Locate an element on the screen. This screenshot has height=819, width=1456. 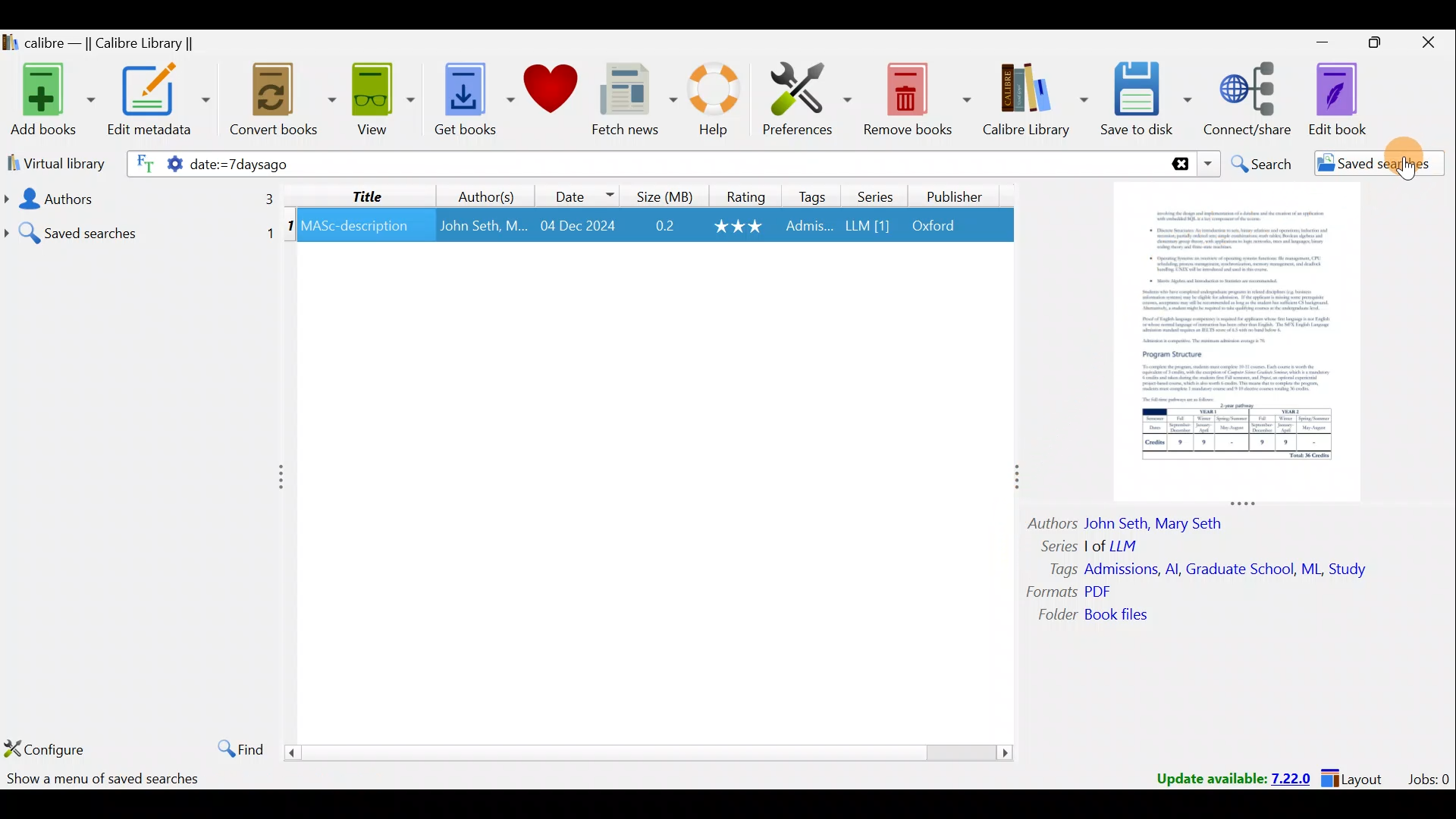
Layout is located at coordinates (1357, 777).